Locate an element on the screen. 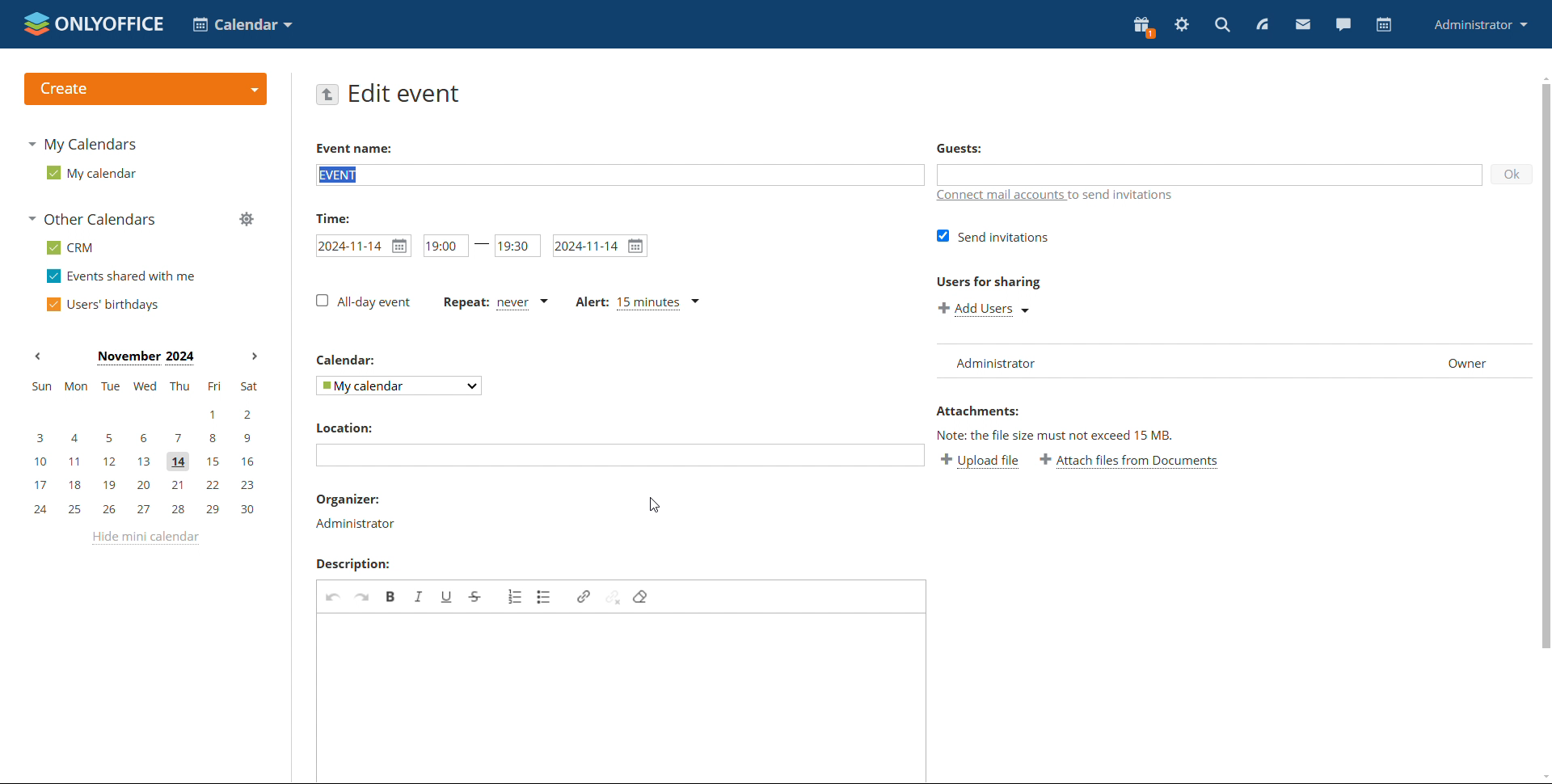 This screenshot has width=1552, height=784. italics is located at coordinates (419, 596).